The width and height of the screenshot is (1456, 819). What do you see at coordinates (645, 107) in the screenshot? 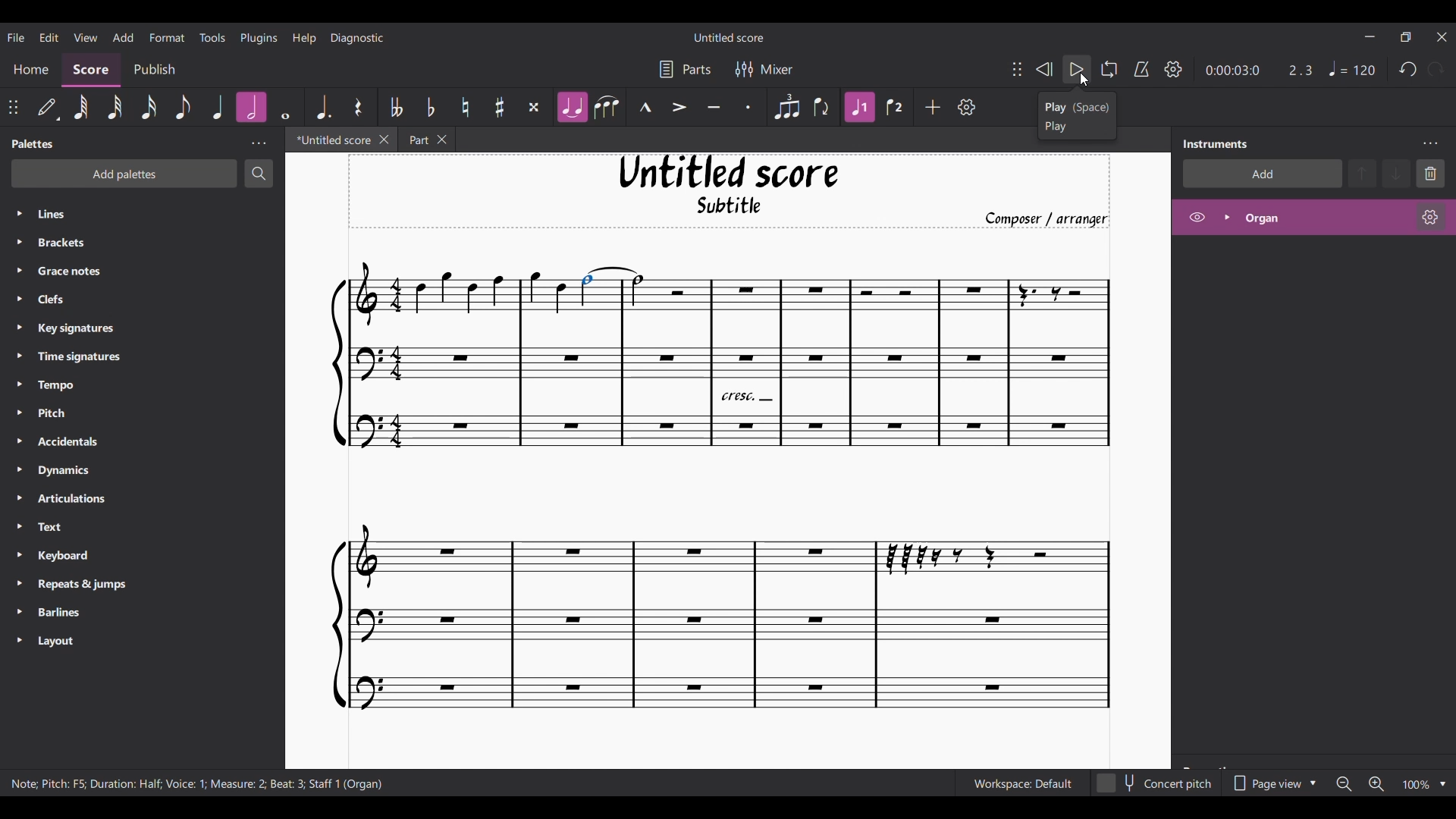
I see `Marcato` at bounding box center [645, 107].